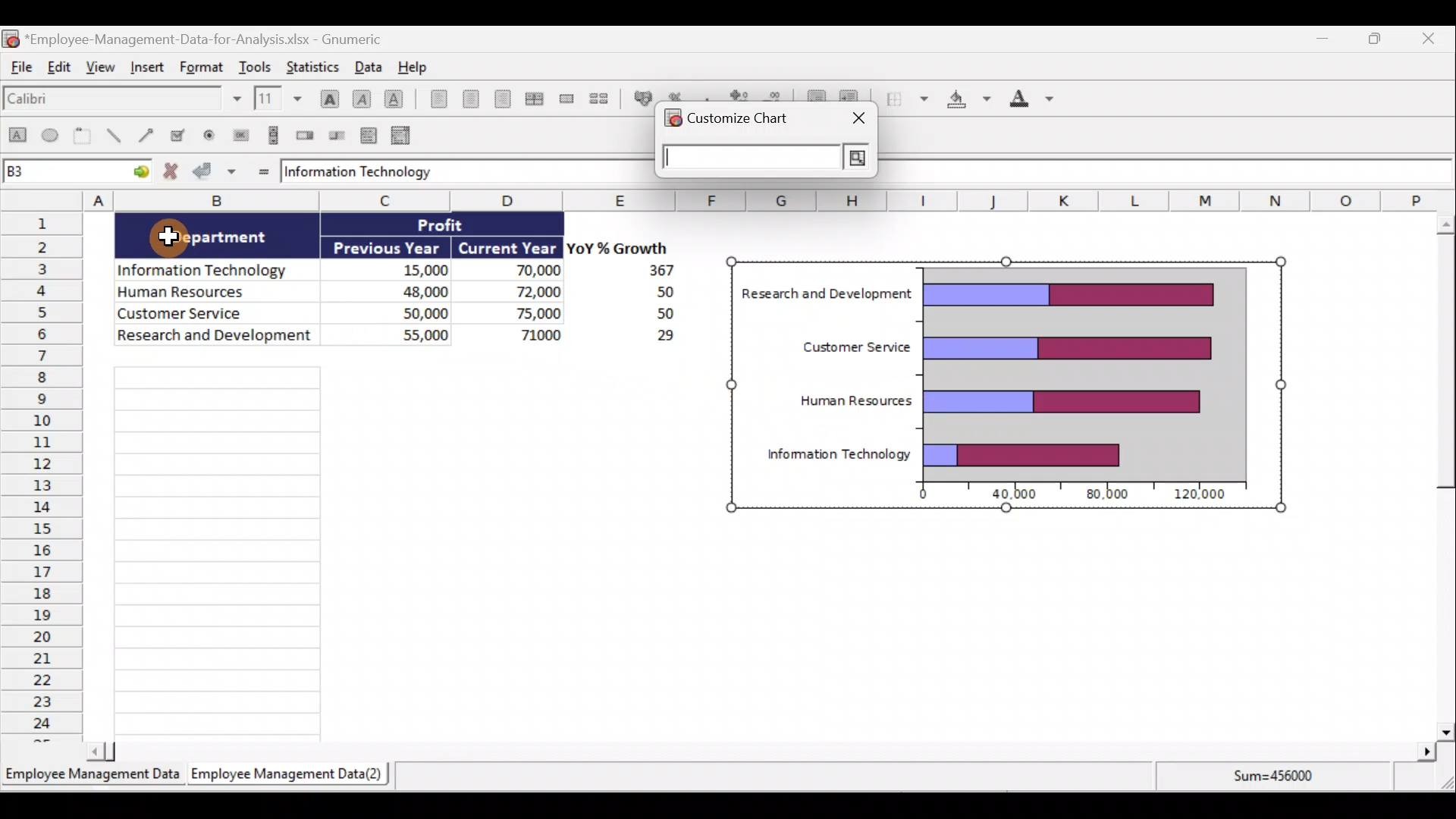  What do you see at coordinates (772, 199) in the screenshot?
I see `Columns` at bounding box center [772, 199].